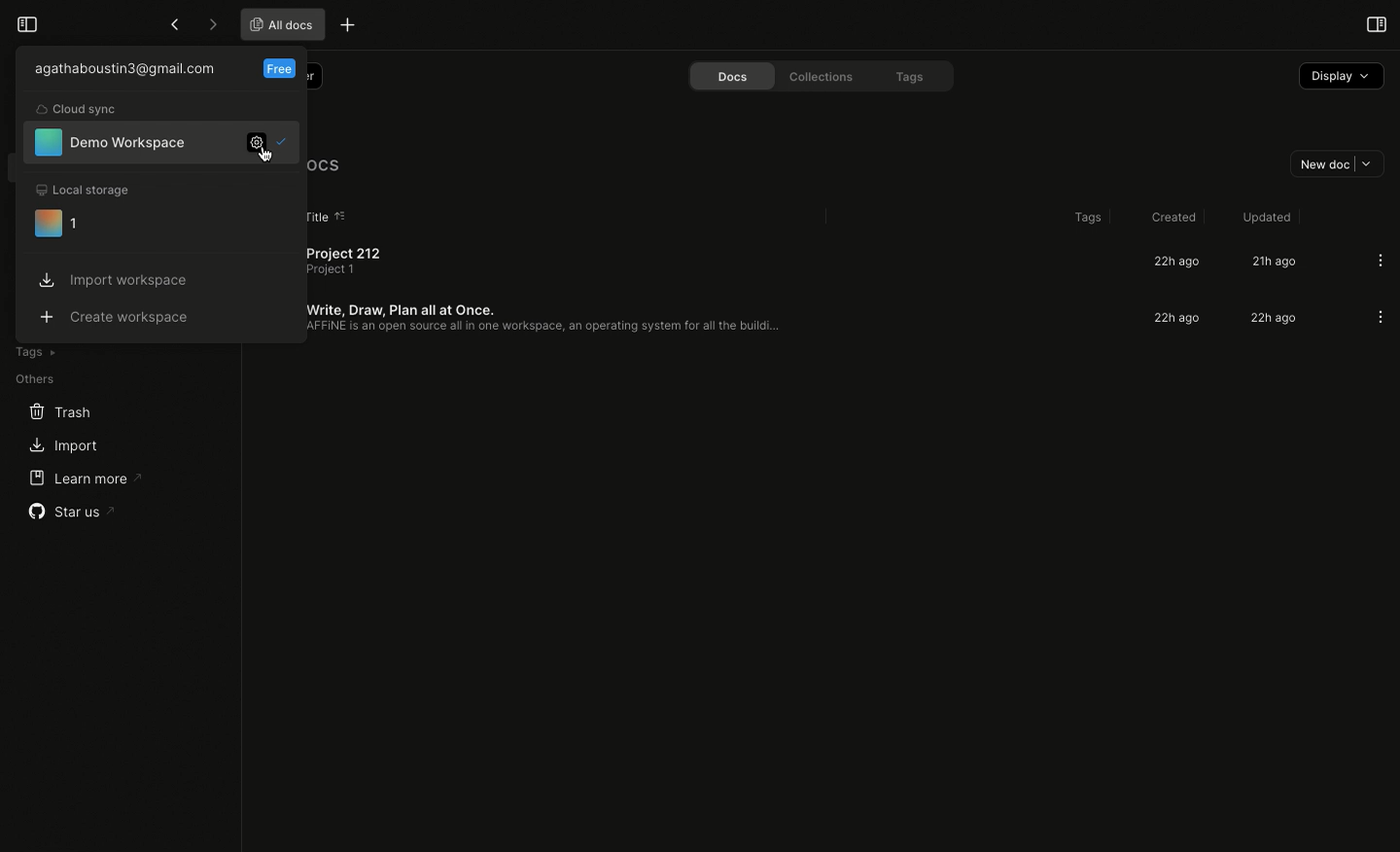  What do you see at coordinates (334, 261) in the screenshot?
I see `Project 212` at bounding box center [334, 261].